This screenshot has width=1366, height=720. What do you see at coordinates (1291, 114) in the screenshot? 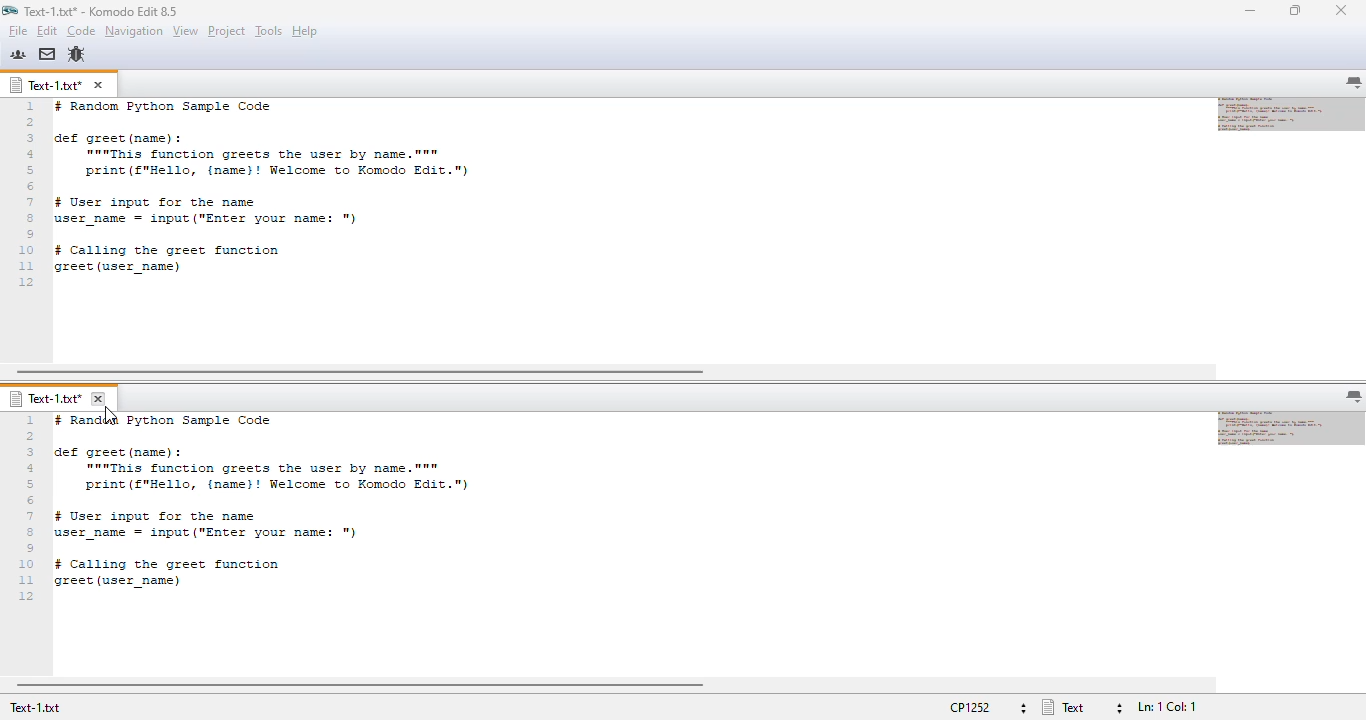
I see `minimap` at bounding box center [1291, 114].